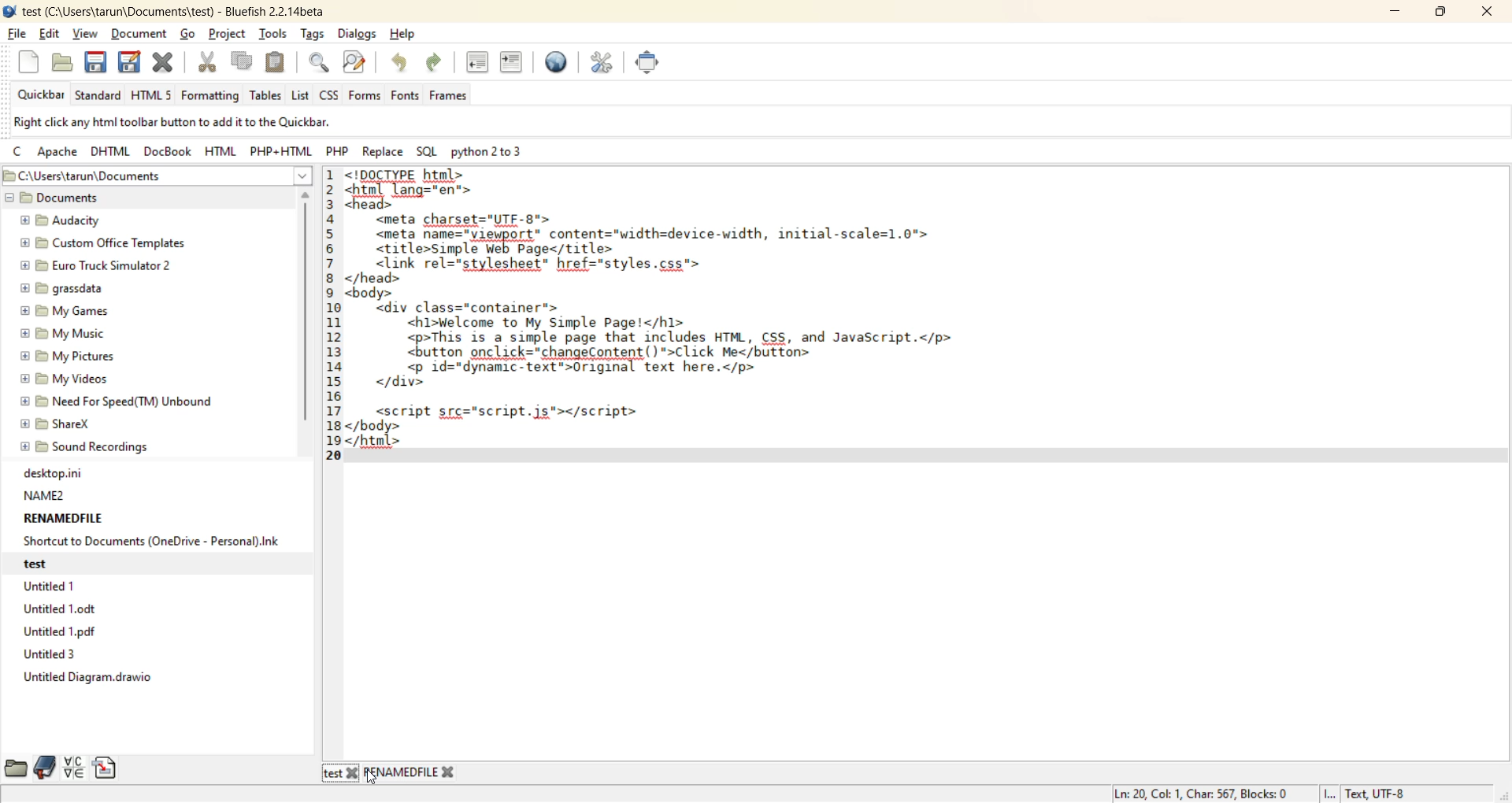 The height and width of the screenshot is (803, 1512). Describe the element at coordinates (312, 34) in the screenshot. I see `tags` at that location.